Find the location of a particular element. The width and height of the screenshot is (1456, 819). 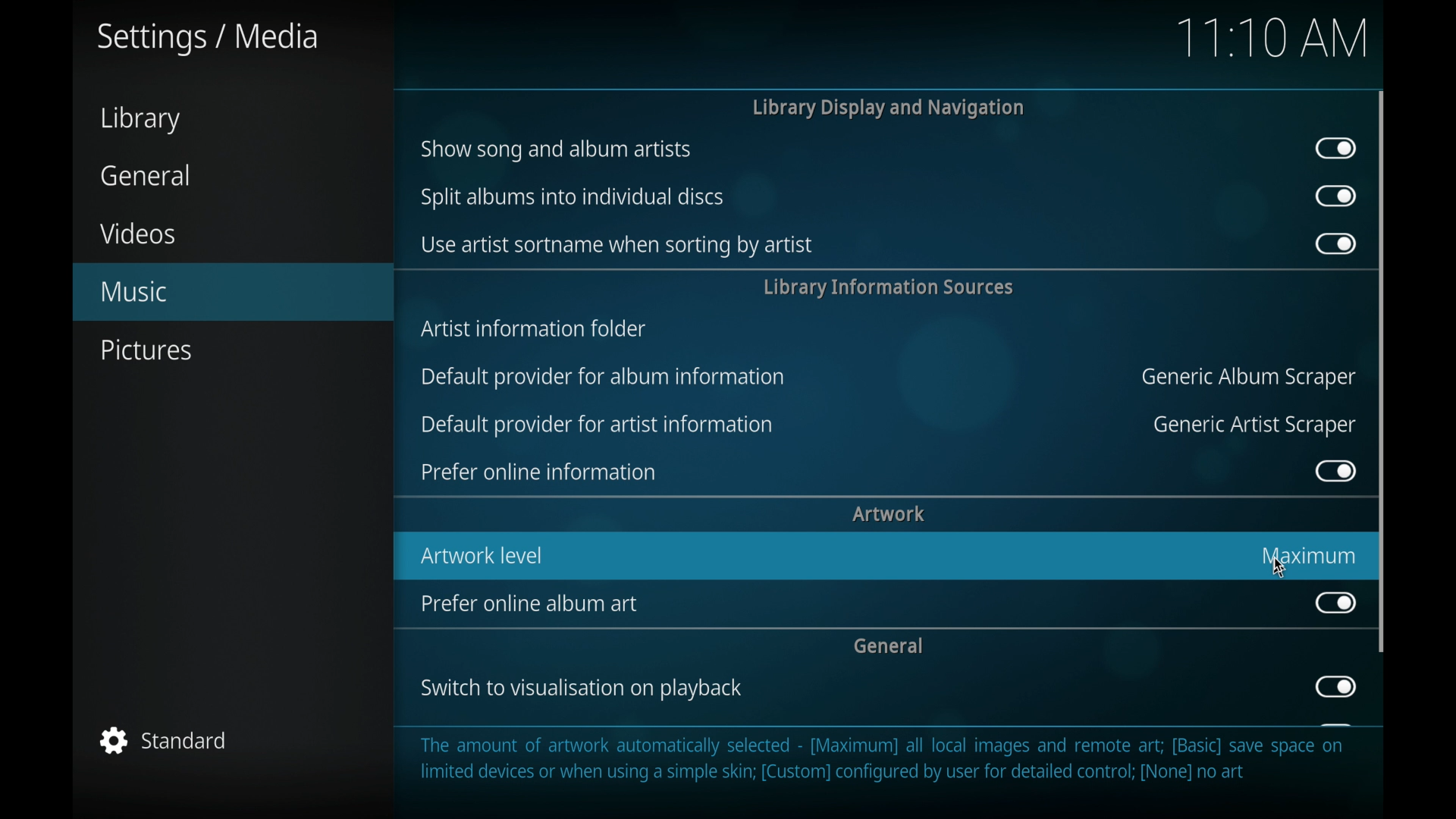

videos is located at coordinates (138, 233).